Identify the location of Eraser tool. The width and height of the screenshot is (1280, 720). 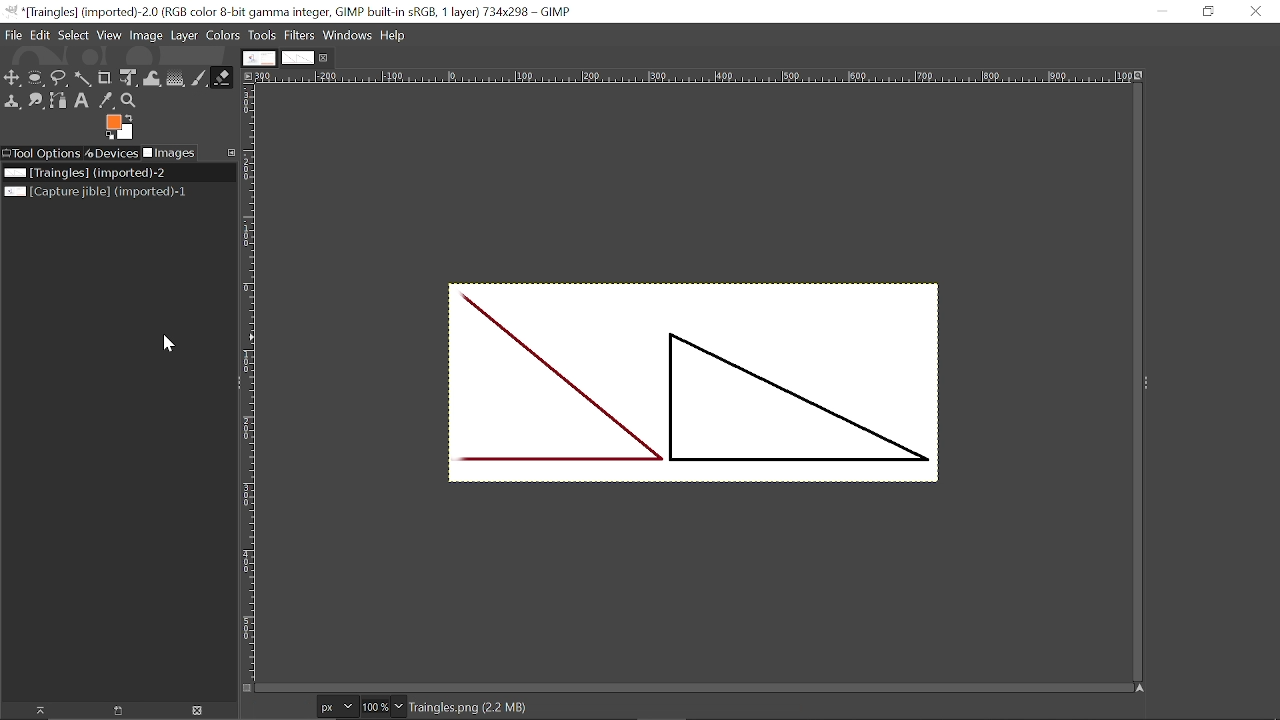
(222, 77).